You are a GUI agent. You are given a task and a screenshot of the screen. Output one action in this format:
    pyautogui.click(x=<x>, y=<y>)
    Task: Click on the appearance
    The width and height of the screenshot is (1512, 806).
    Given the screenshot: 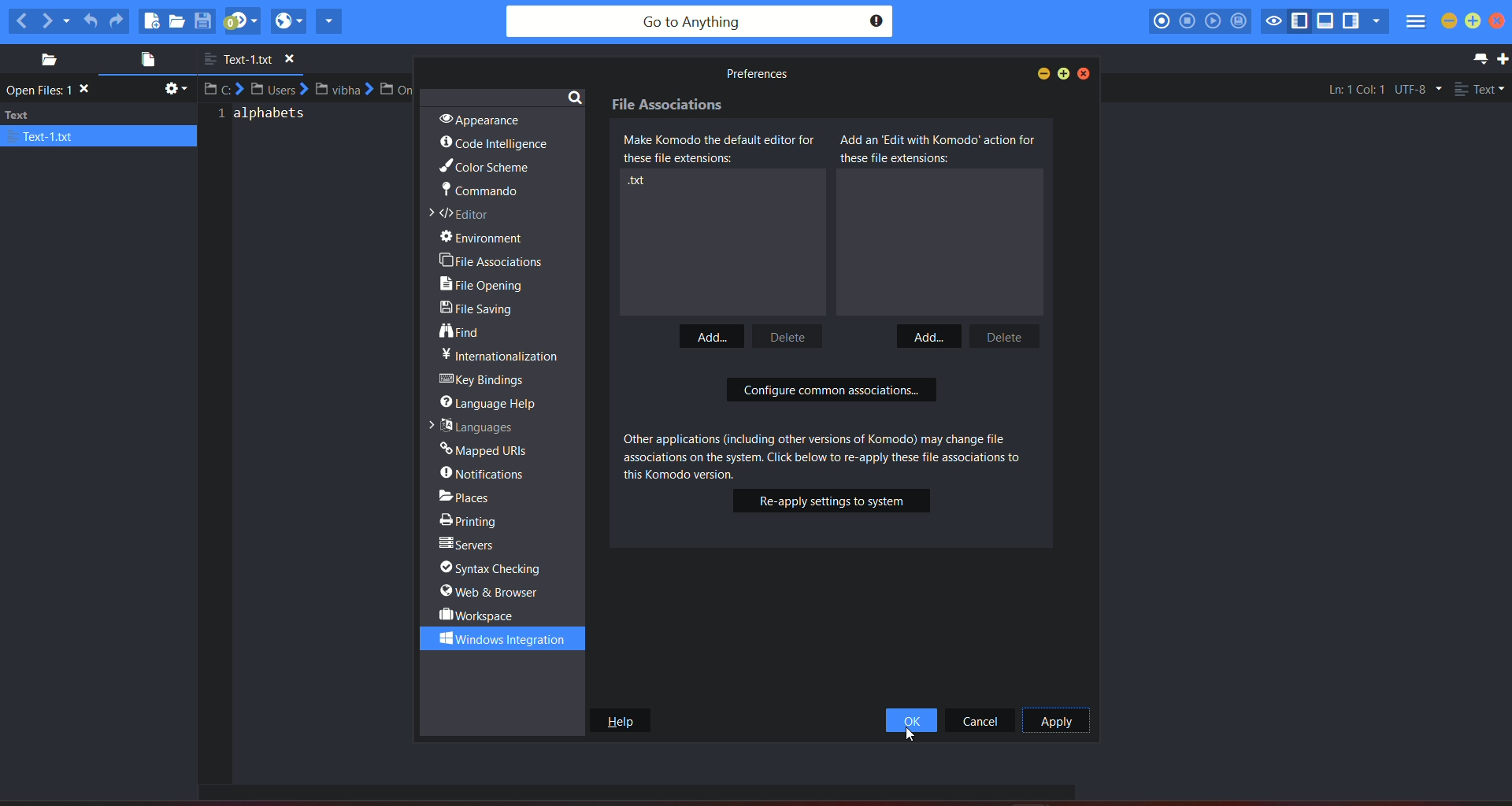 What is the action you would take?
    pyautogui.click(x=476, y=118)
    